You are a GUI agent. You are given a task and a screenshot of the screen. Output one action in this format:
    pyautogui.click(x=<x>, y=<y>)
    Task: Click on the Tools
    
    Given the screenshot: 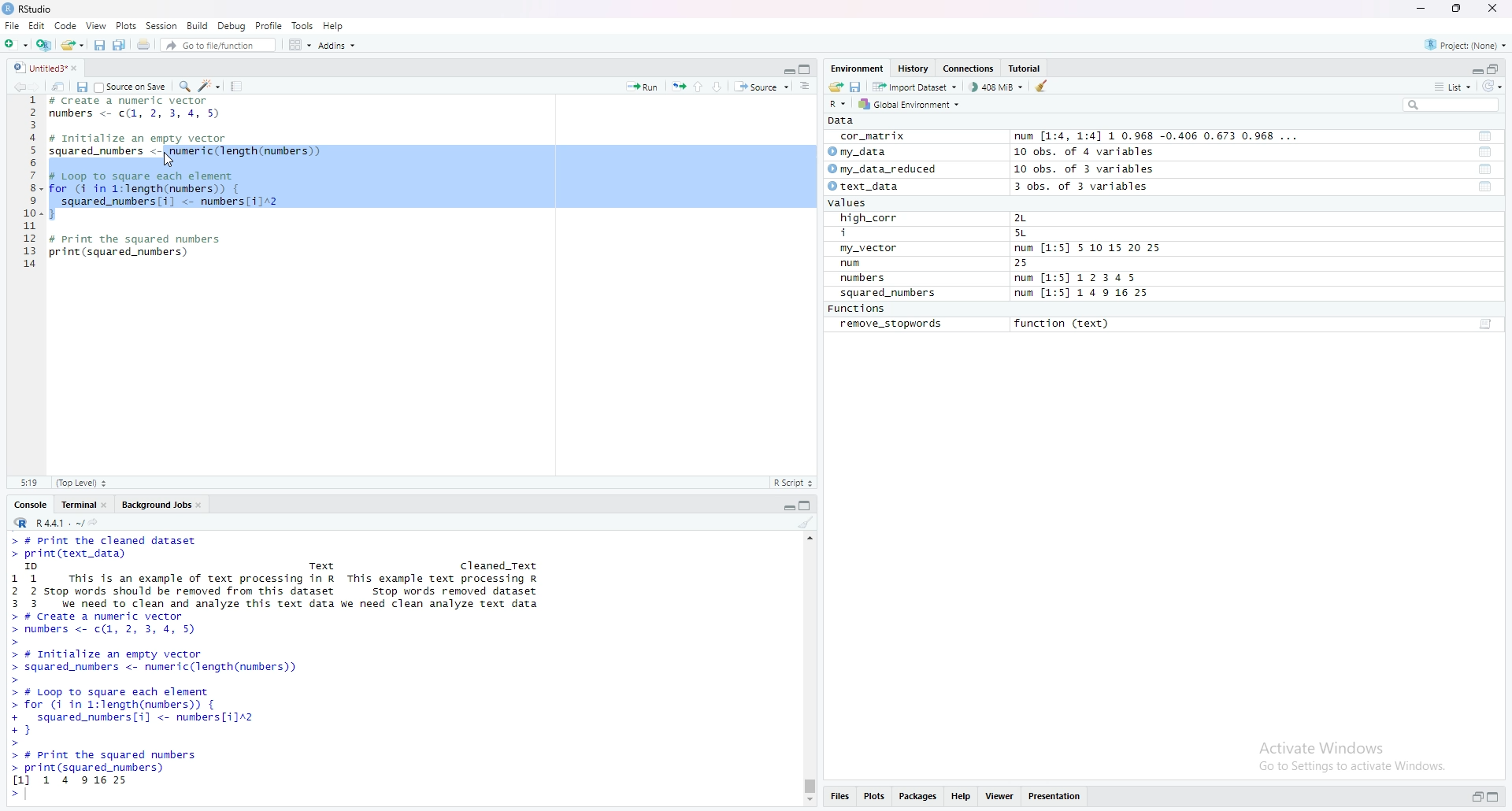 What is the action you would take?
    pyautogui.click(x=303, y=25)
    